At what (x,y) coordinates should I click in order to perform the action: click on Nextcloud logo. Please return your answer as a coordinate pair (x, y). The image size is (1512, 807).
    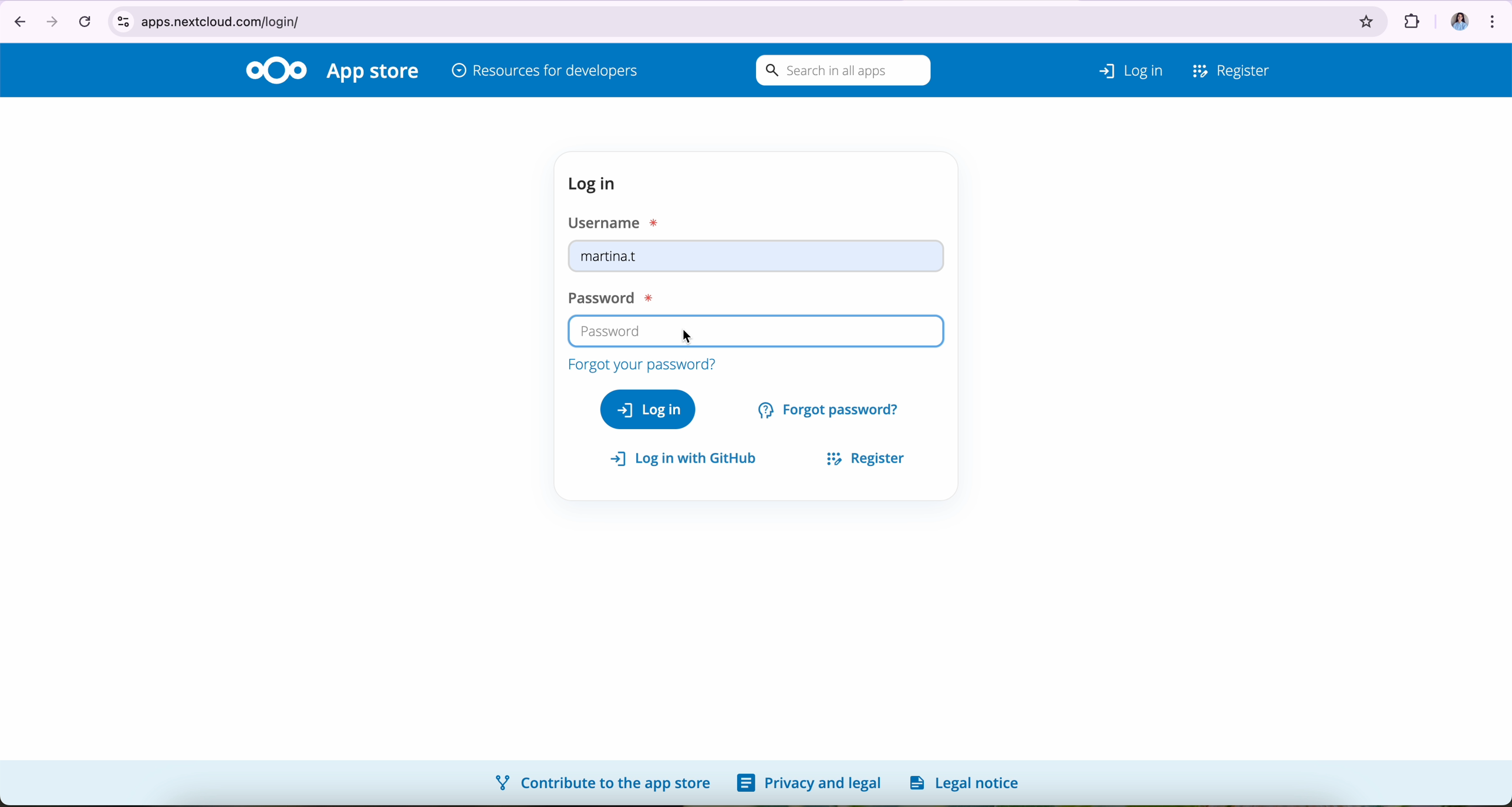
    Looking at the image, I should click on (276, 69).